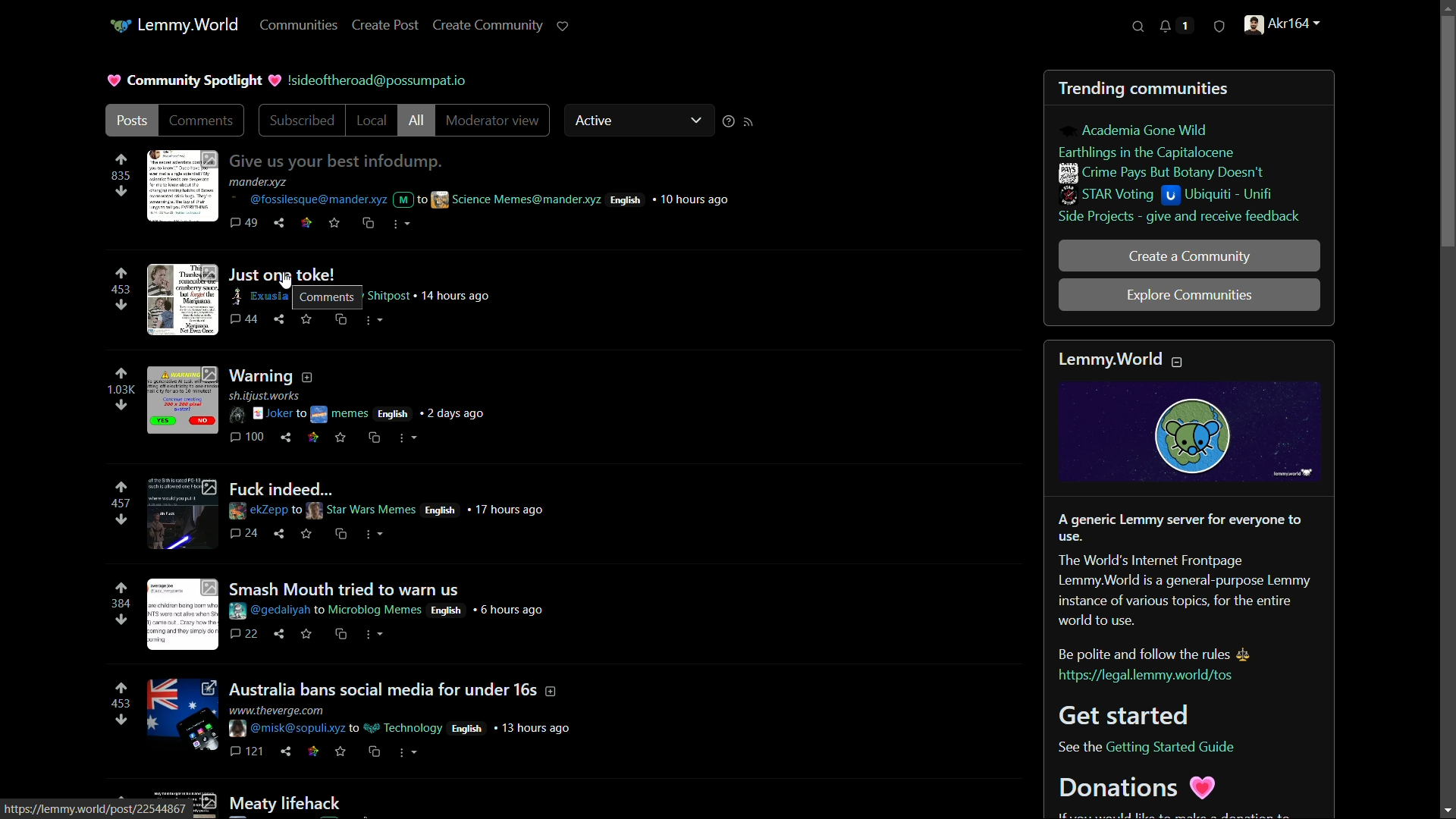 Image resolution: width=1456 pixels, height=819 pixels. What do you see at coordinates (243, 632) in the screenshot?
I see `22 comments` at bounding box center [243, 632].